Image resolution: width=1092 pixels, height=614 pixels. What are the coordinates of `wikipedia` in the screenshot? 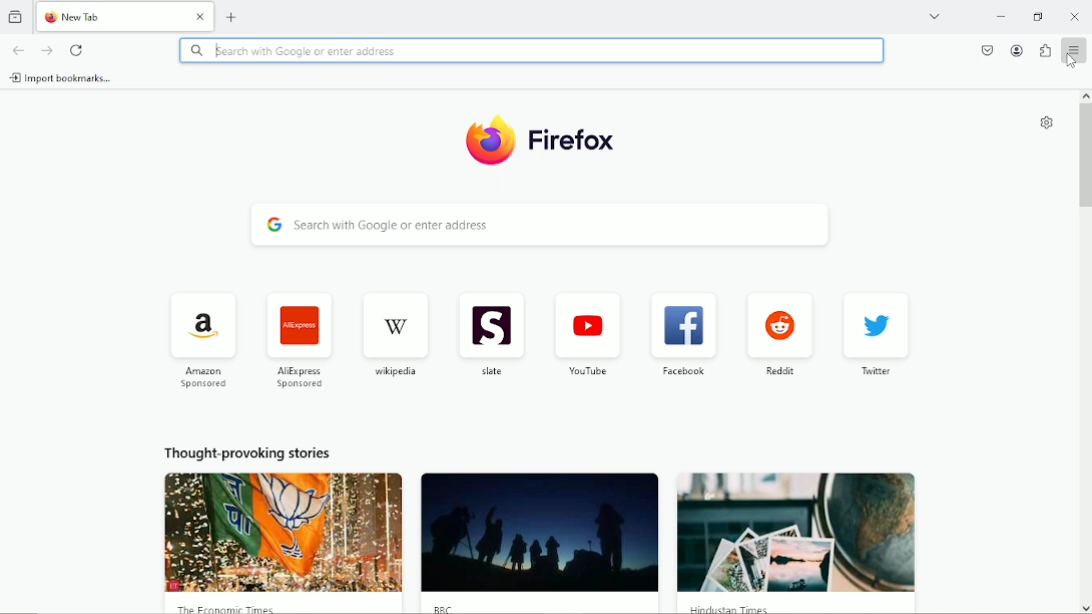 It's located at (394, 334).